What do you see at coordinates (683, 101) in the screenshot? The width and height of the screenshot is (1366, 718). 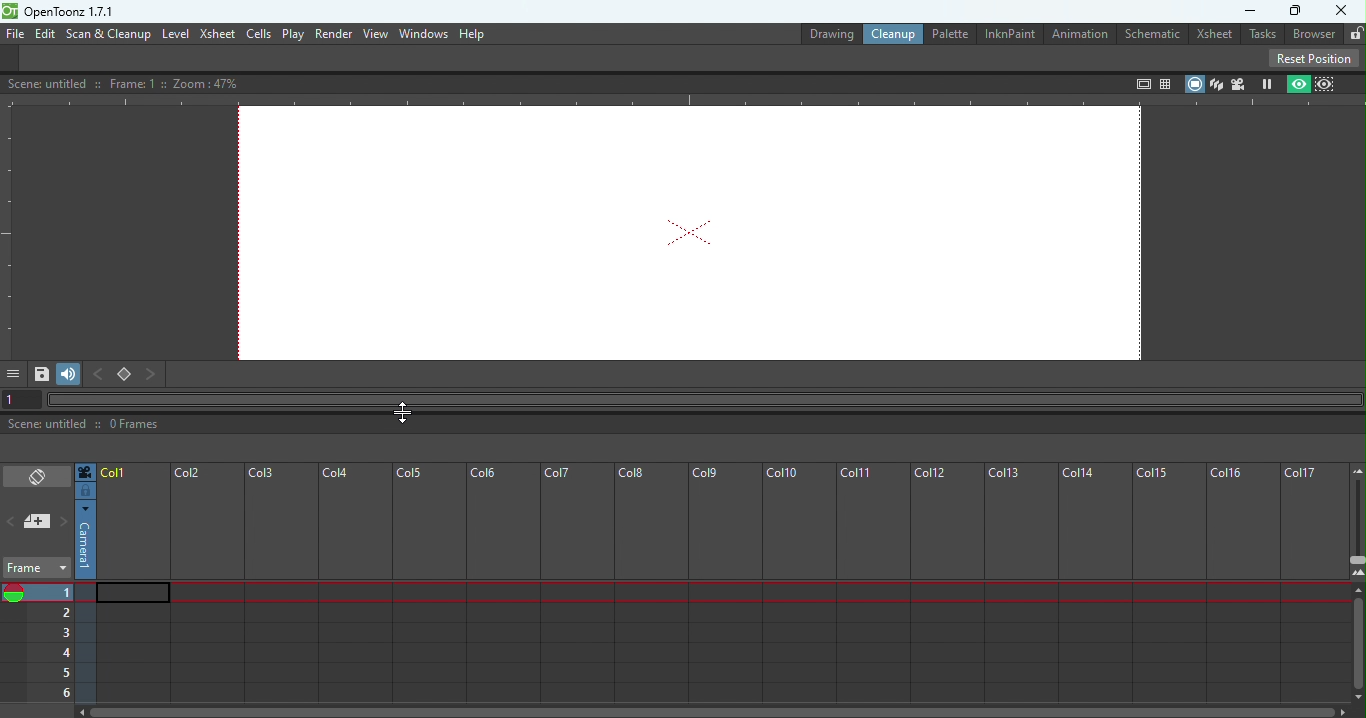 I see `Horizontal ruler` at bounding box center [683, 101].